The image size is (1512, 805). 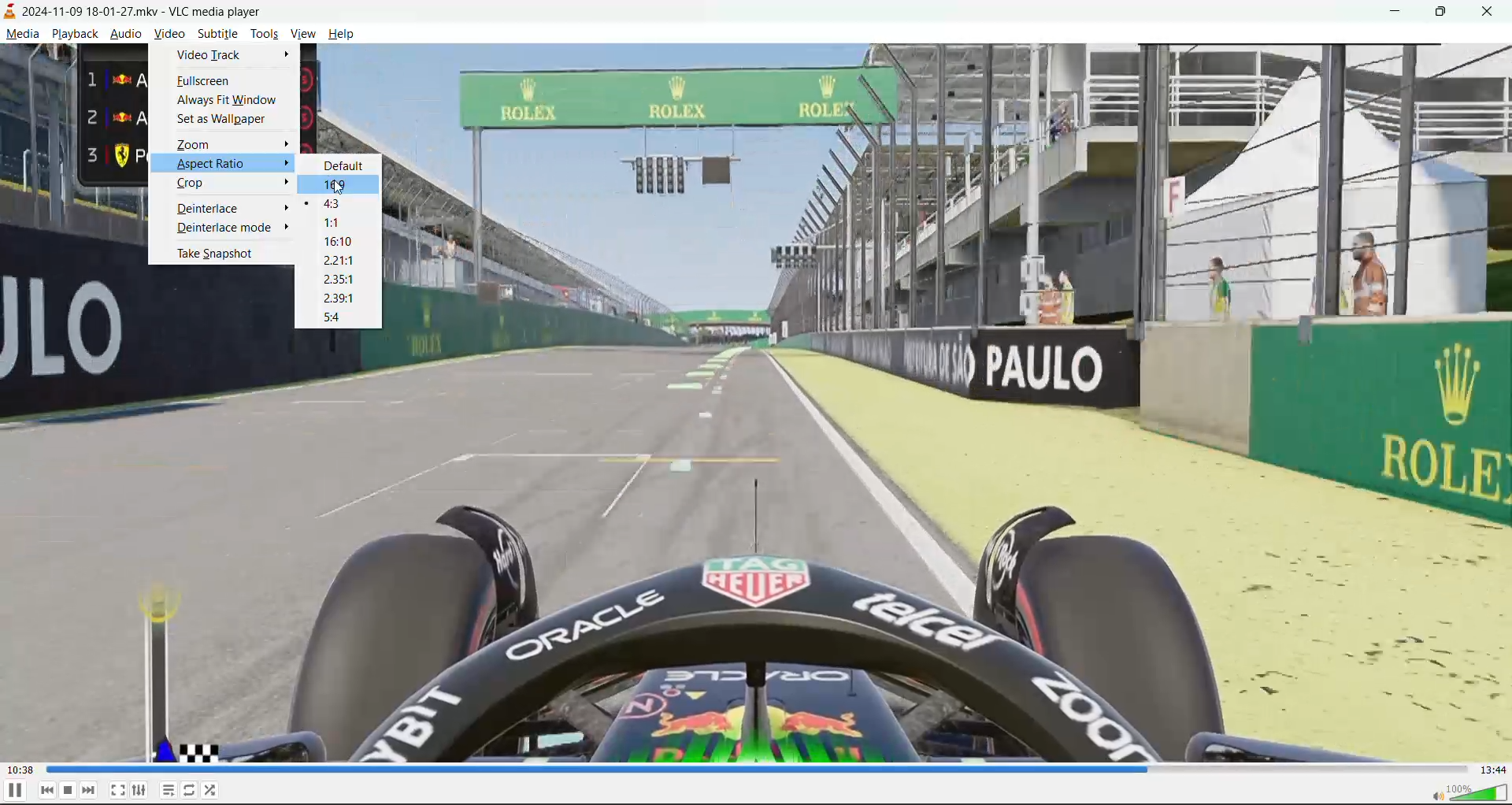 What do you see at coordinates (1469, 795) in the screenshot?
I see `volume` at bounding box center [1469, 795].